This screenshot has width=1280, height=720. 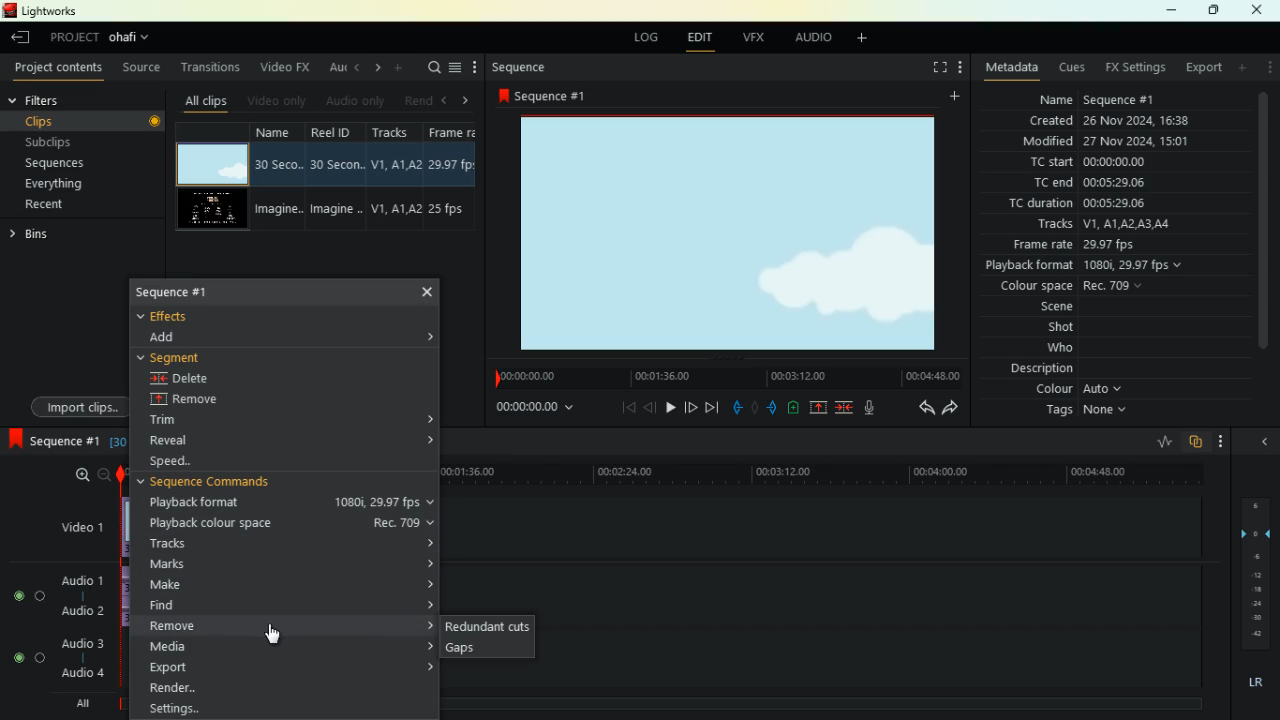 I want to click on sequences, so click(x=63, y=165).